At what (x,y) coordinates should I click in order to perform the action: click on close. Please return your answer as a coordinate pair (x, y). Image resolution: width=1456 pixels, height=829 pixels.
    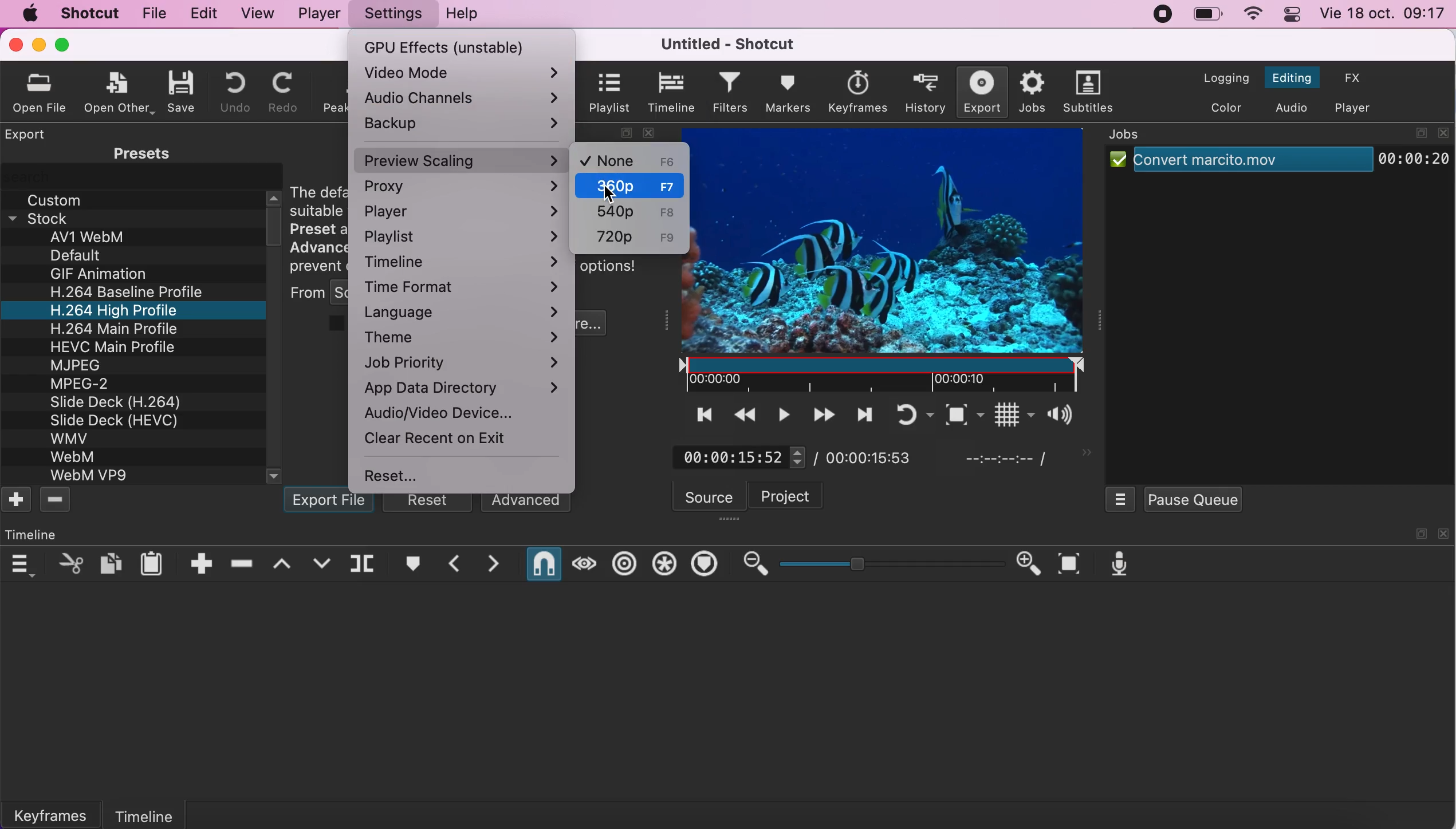
    Looking at the image, I should click on (14, 44).